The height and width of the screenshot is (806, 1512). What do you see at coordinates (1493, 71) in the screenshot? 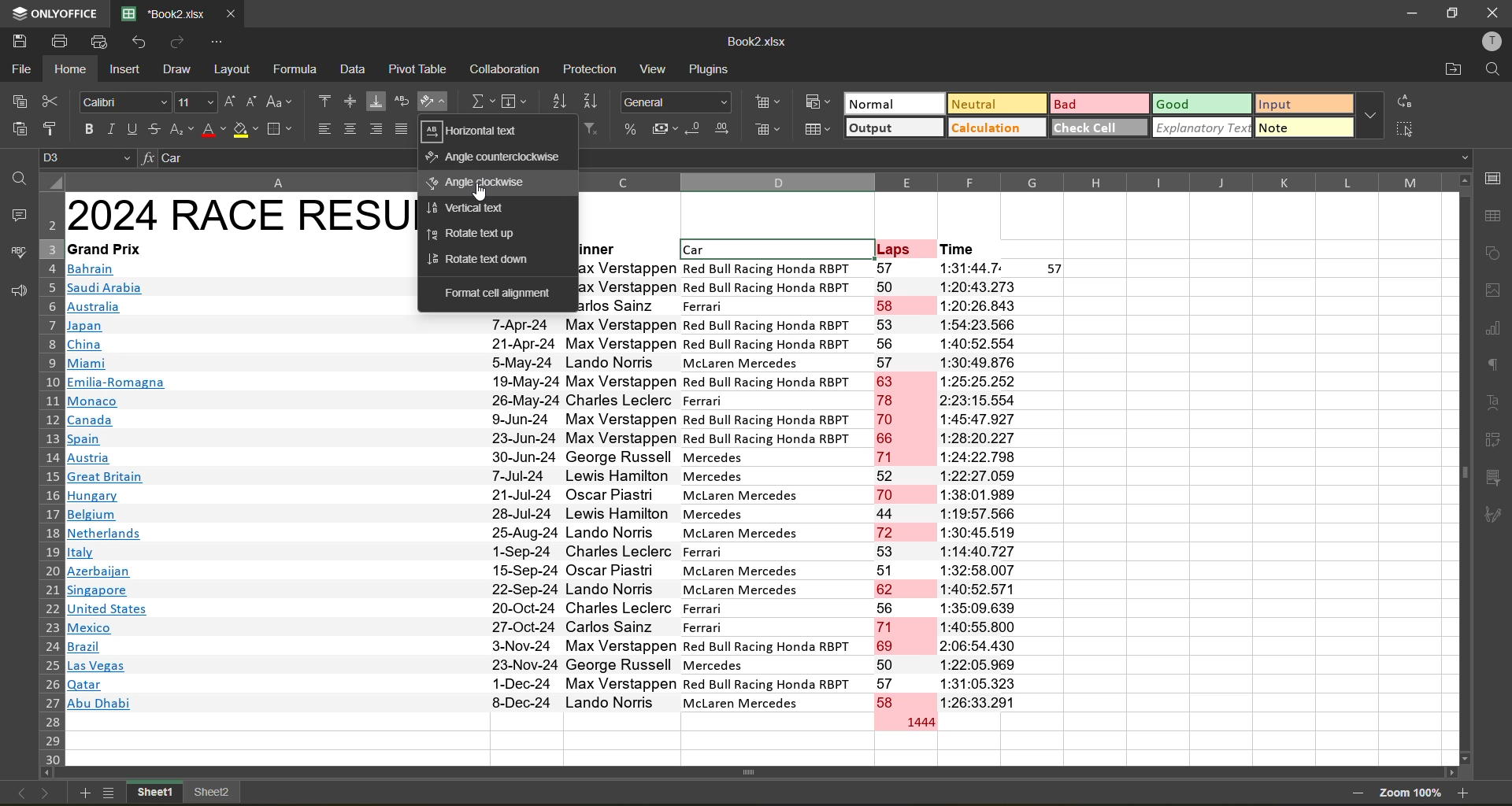
I see `find` at bounding box center [1493, 71].